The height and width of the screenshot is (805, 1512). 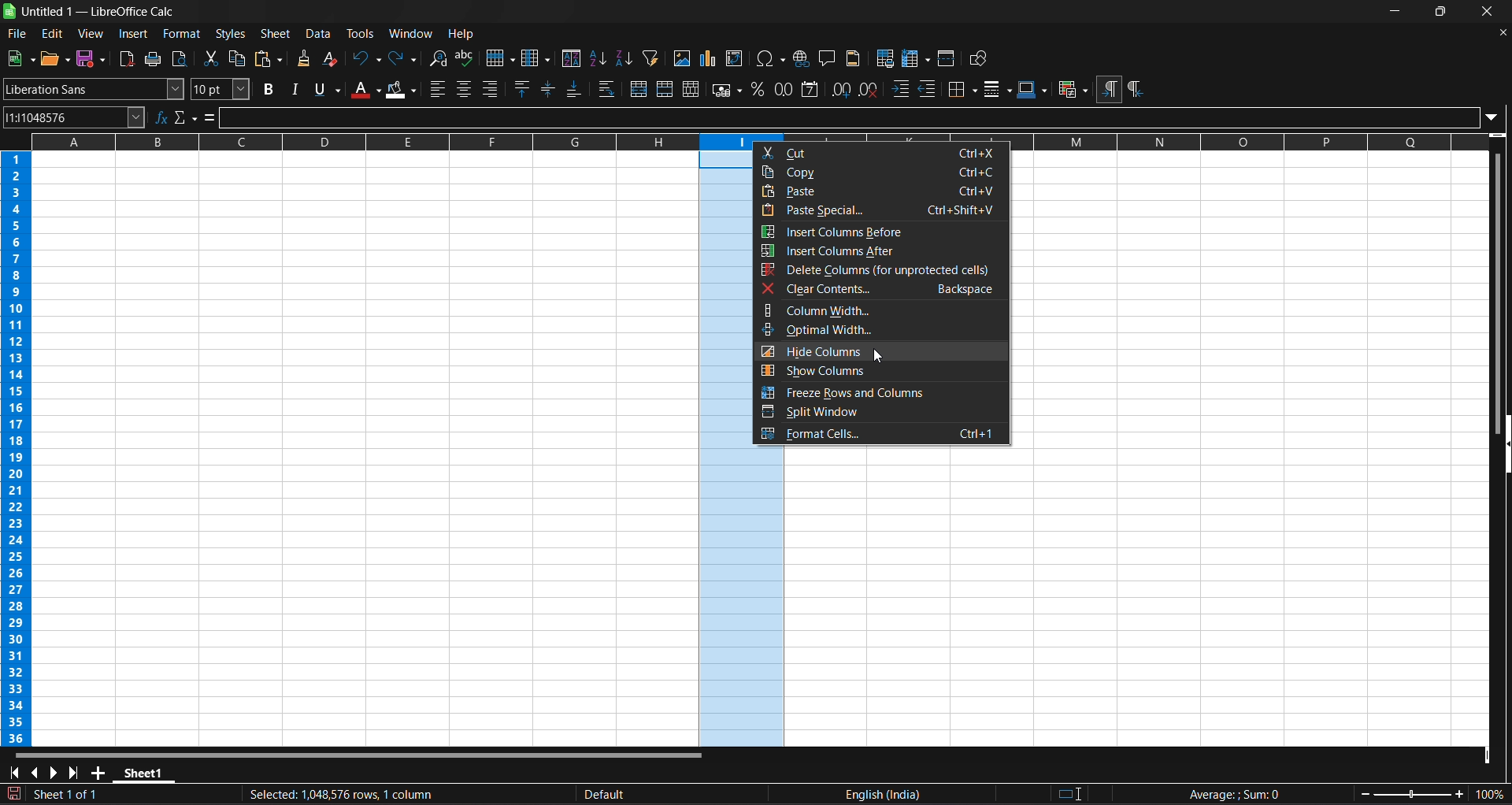 What do you see at coordinates (840, 89) in the screenshot?
I see `add decimal place` at bounding box center [840, 89].